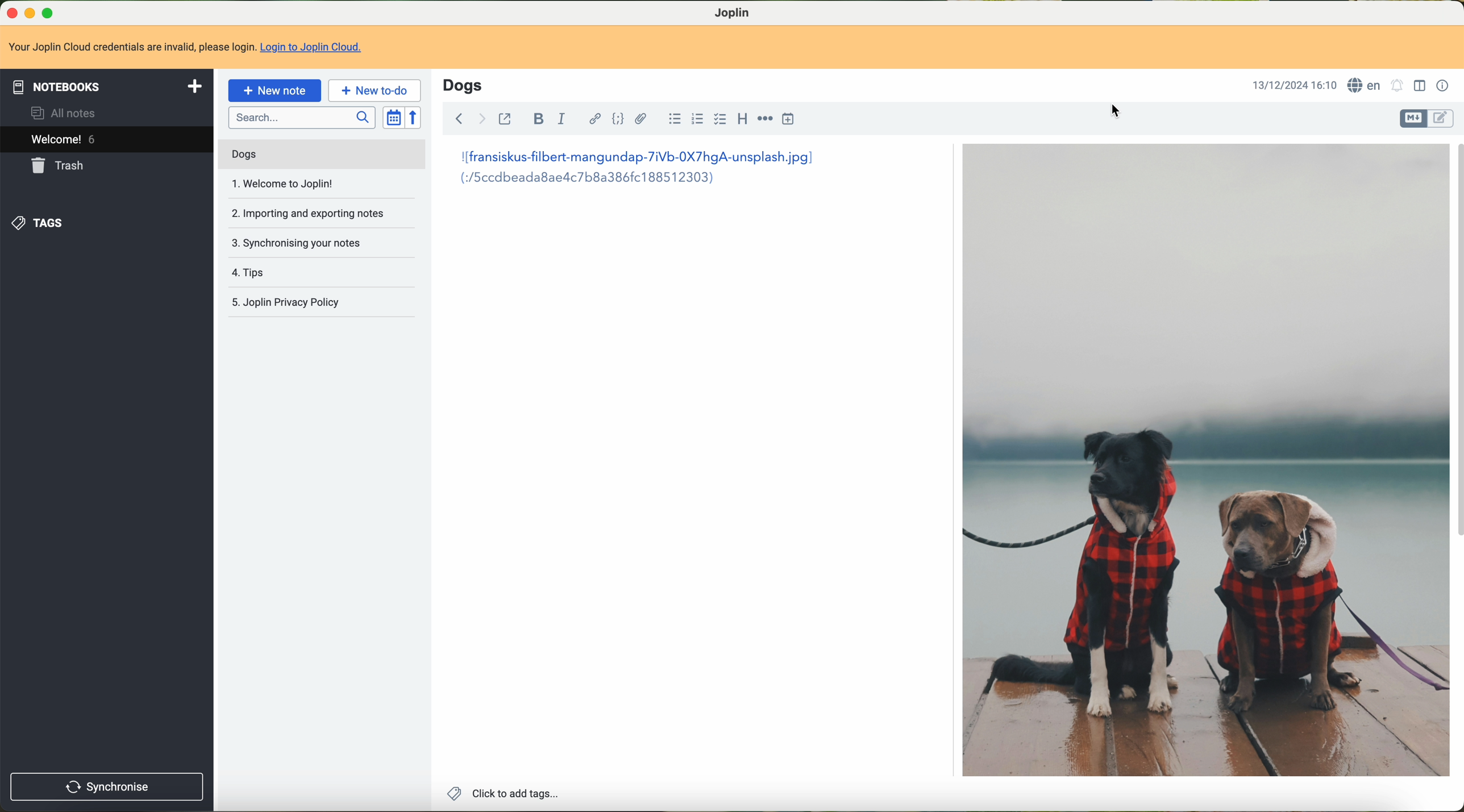 The image size is (1464, 812). What do you see at coordinates (42, 221) in the screenshot?
I see `tags` at bounding box center [42, 221].